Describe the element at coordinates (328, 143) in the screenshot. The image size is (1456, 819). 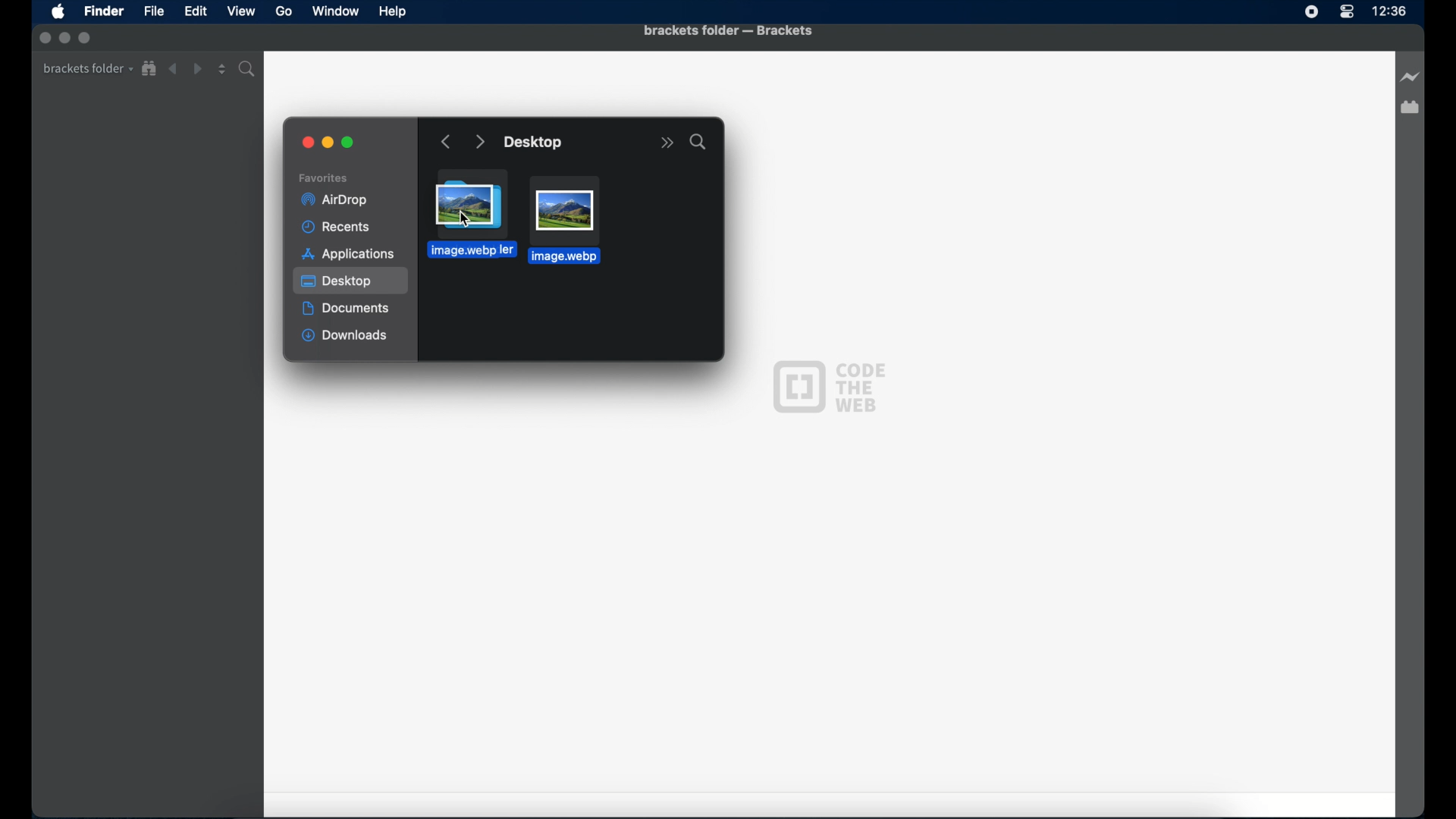
I see `minimize` at that location.